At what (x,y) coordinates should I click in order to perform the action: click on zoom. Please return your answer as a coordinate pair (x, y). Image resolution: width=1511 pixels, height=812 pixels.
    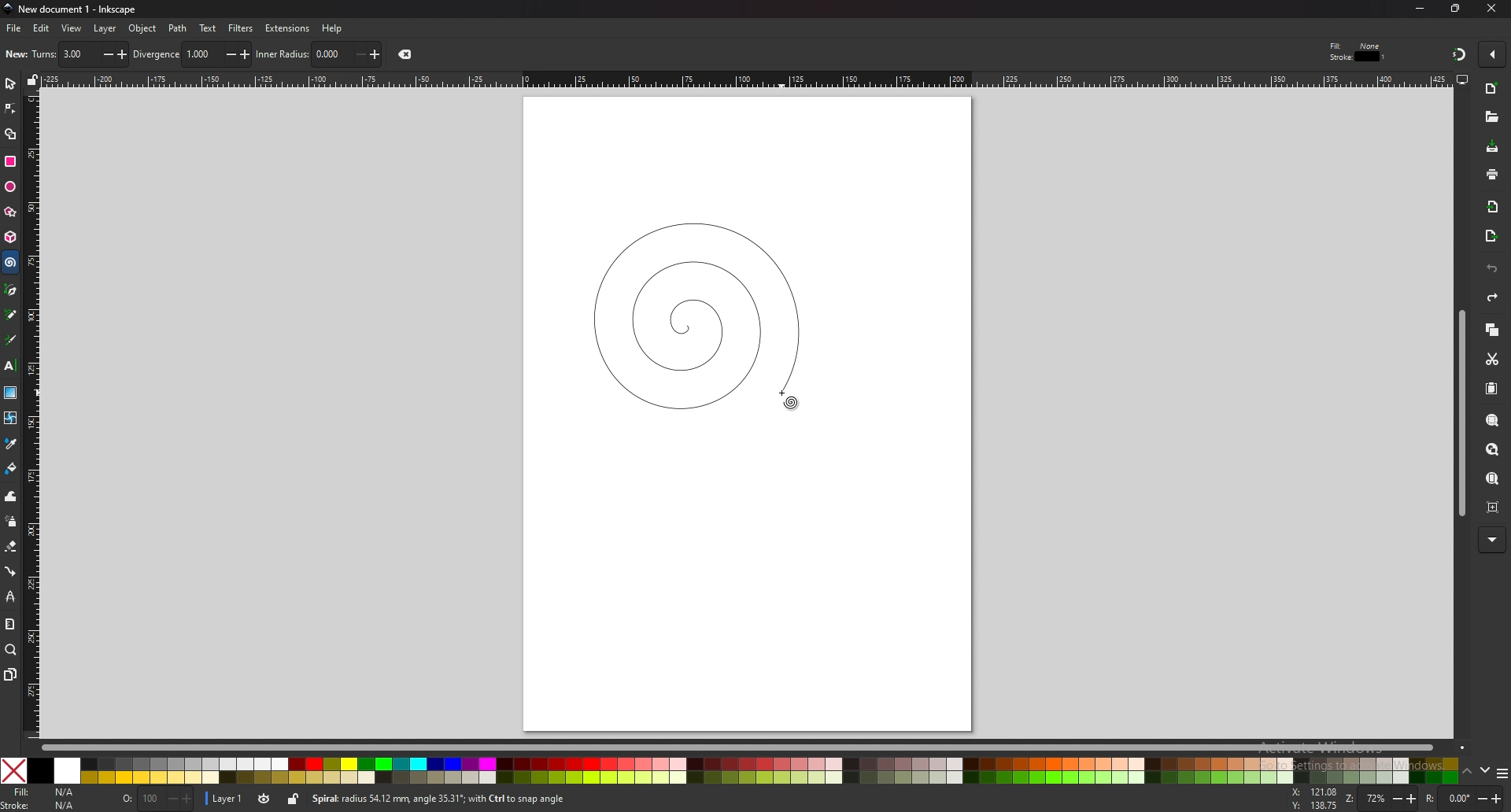
    Looking at the image, I should click on (12, 651).